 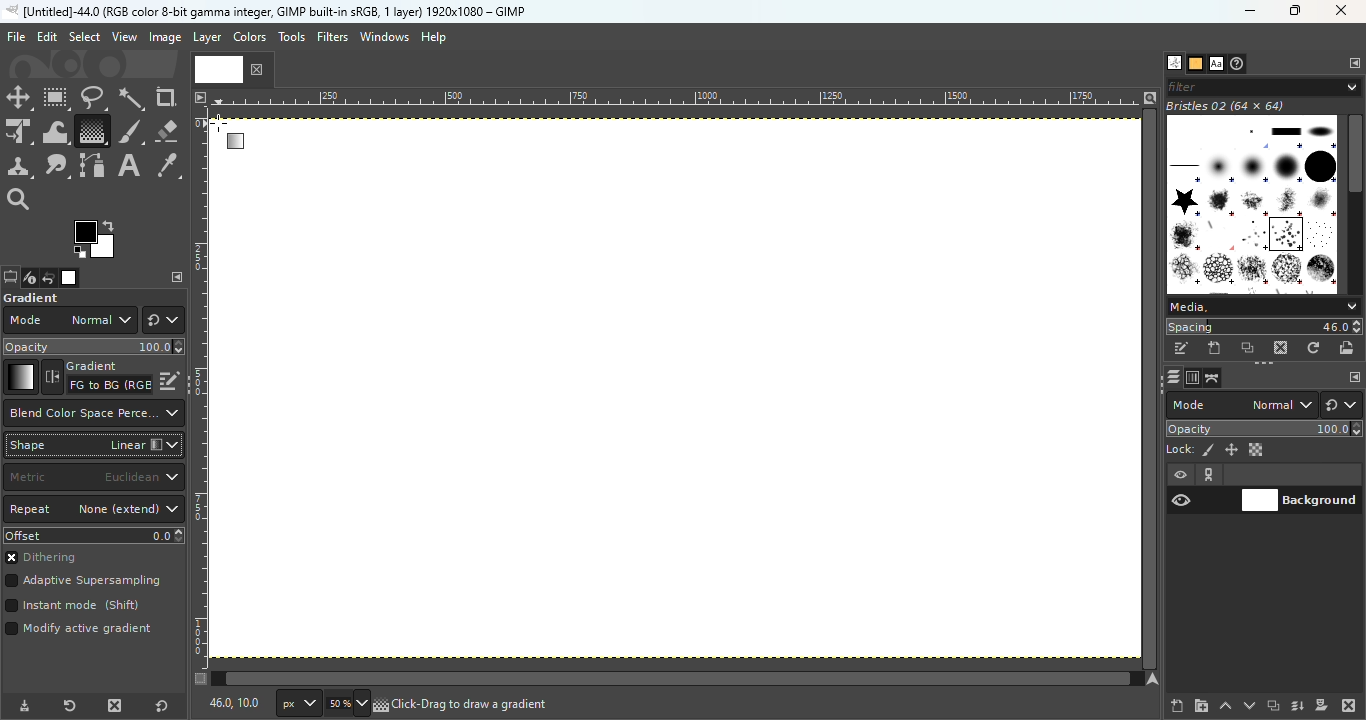 I want to click on Open the paths dialog, so click(x=1213, y=378).